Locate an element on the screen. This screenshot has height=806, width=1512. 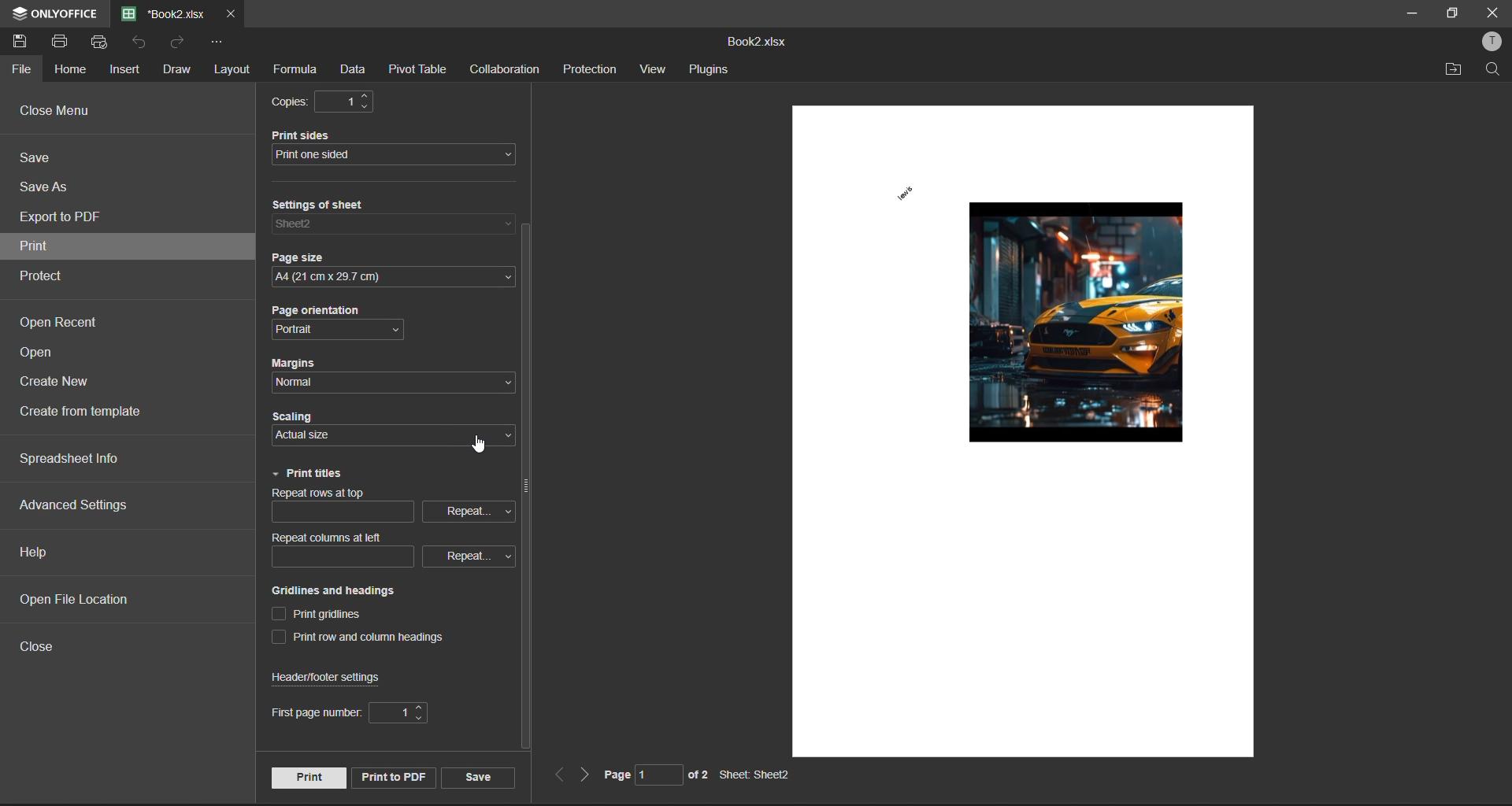
customize quick access toolbar is located at coordinates (218, 43).